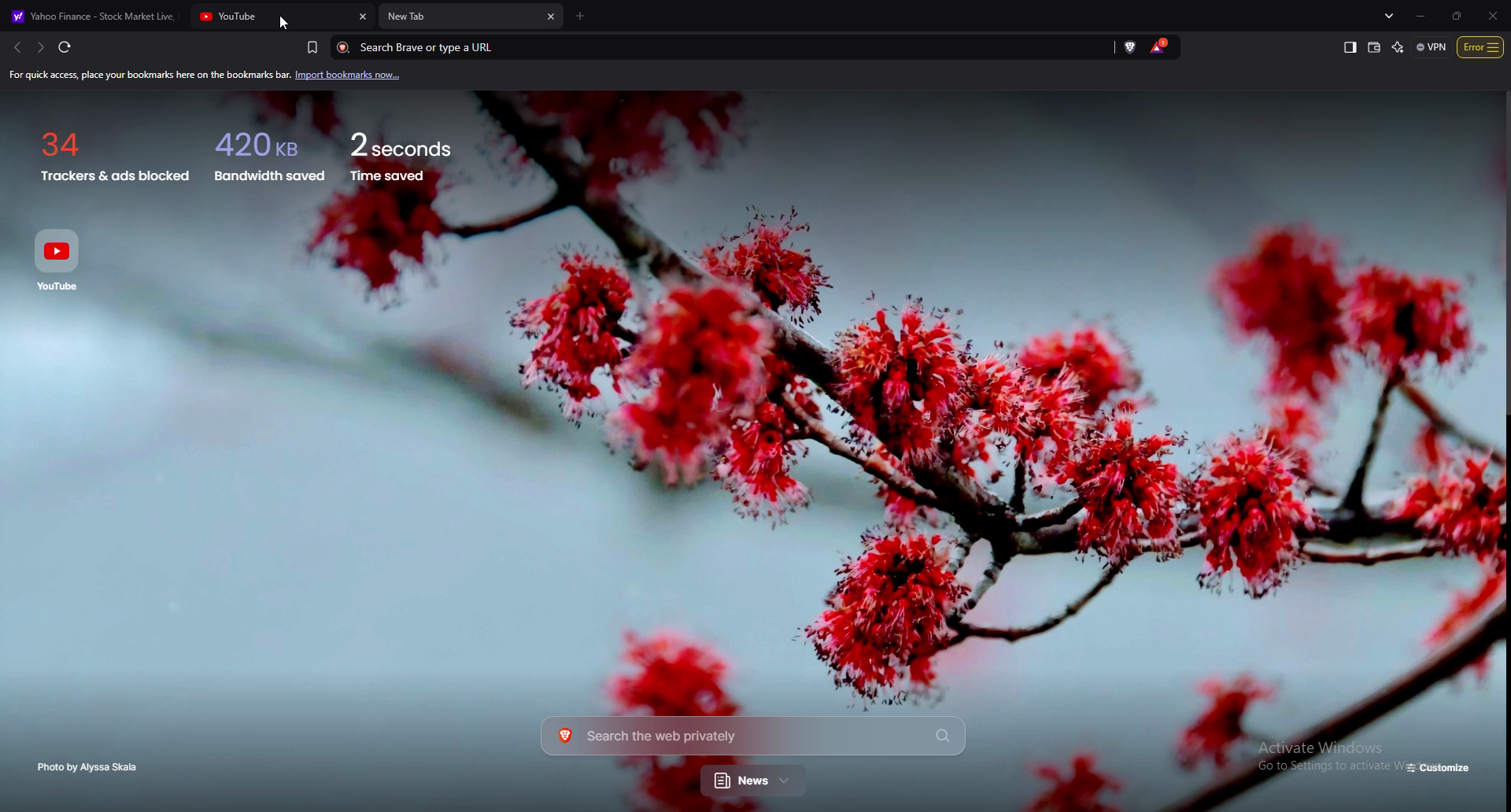 The image size is (1511, 812). I want to click on add tab, so click(581, 17).